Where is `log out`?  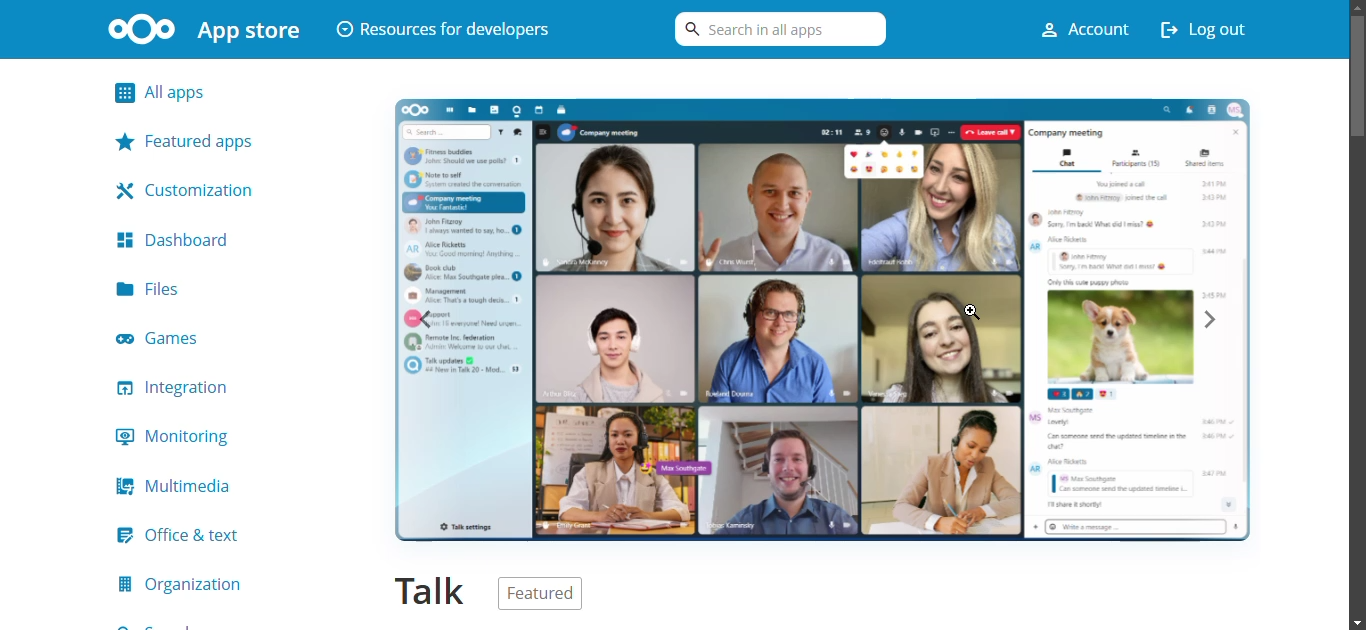 log out is located at coordinates (1213, 28).